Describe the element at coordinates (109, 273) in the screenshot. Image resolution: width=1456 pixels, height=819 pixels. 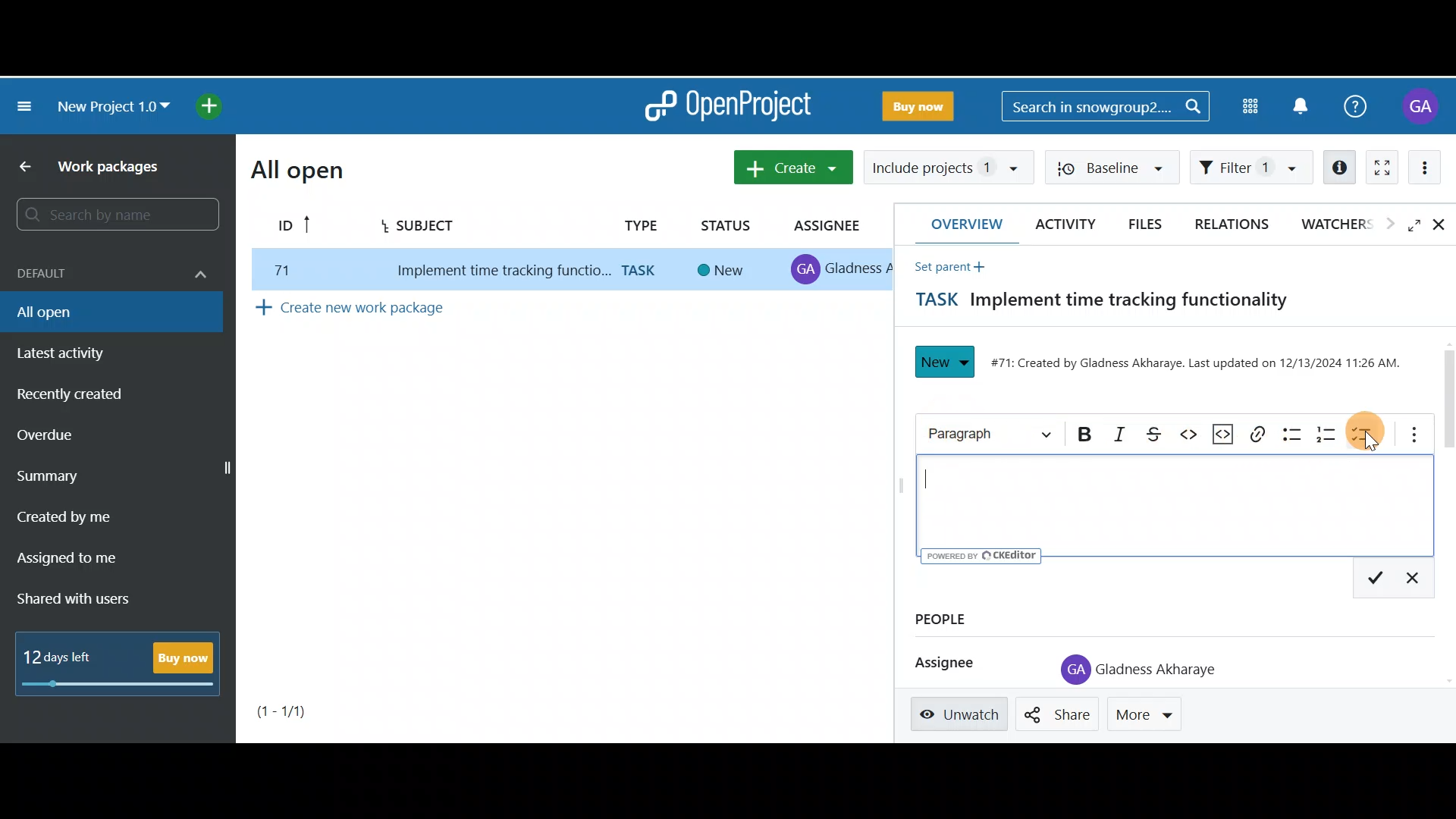
I see `Default` at that location.